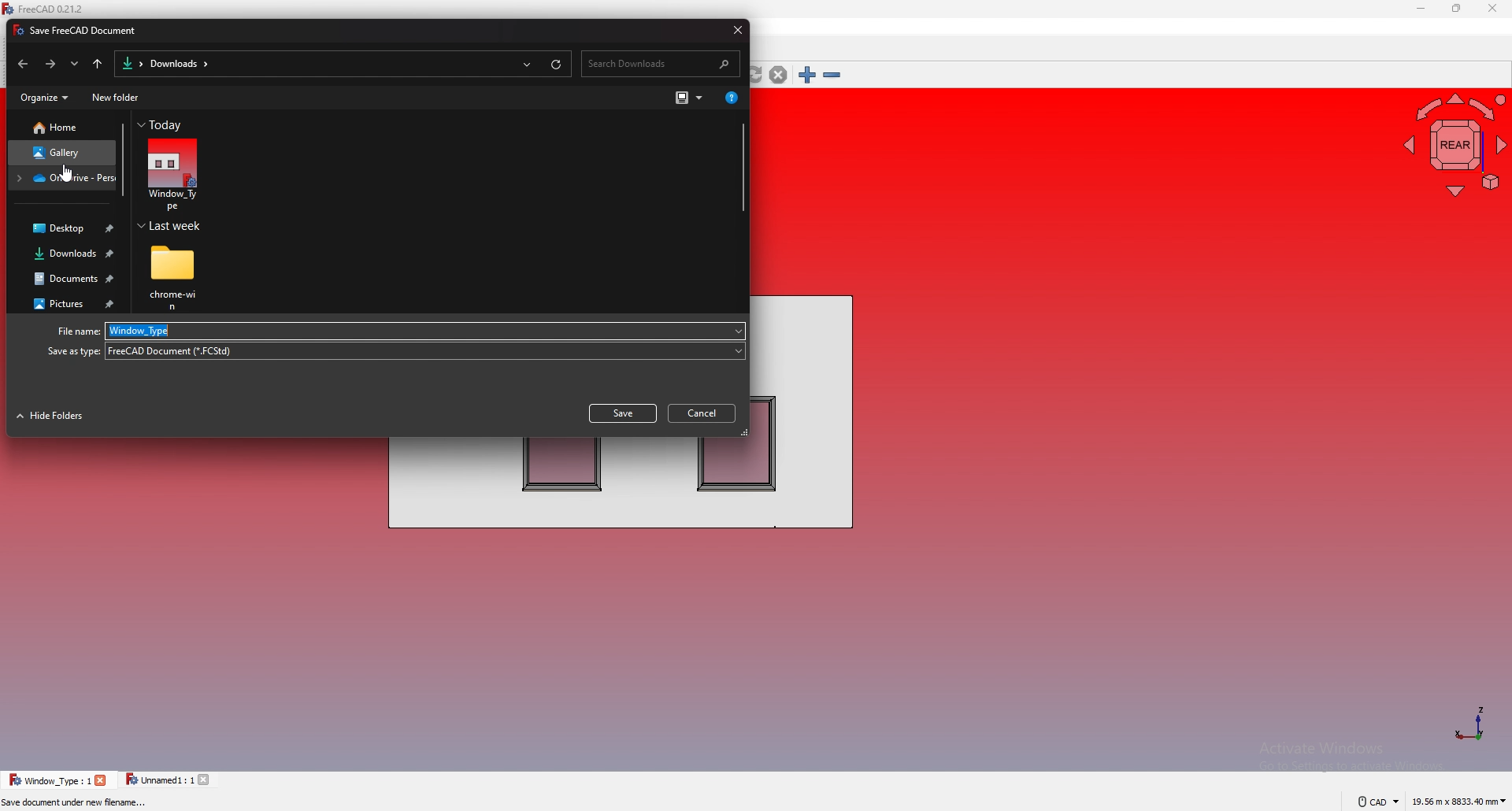 This screenshot has width=1512, height=811. What do you see at coordinates (117, 99) in the screenshot?
I see `new folder` at bounding box center [117, 99].